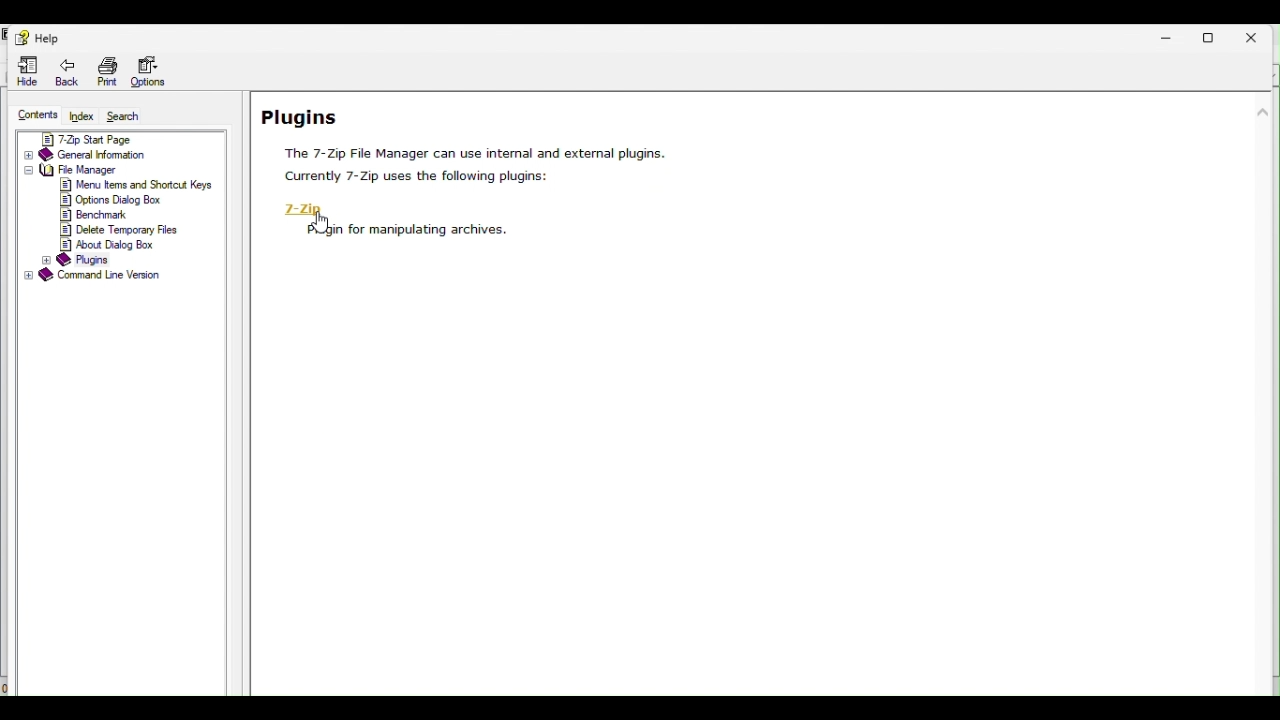  I want to click on Index, so click(83, 115).